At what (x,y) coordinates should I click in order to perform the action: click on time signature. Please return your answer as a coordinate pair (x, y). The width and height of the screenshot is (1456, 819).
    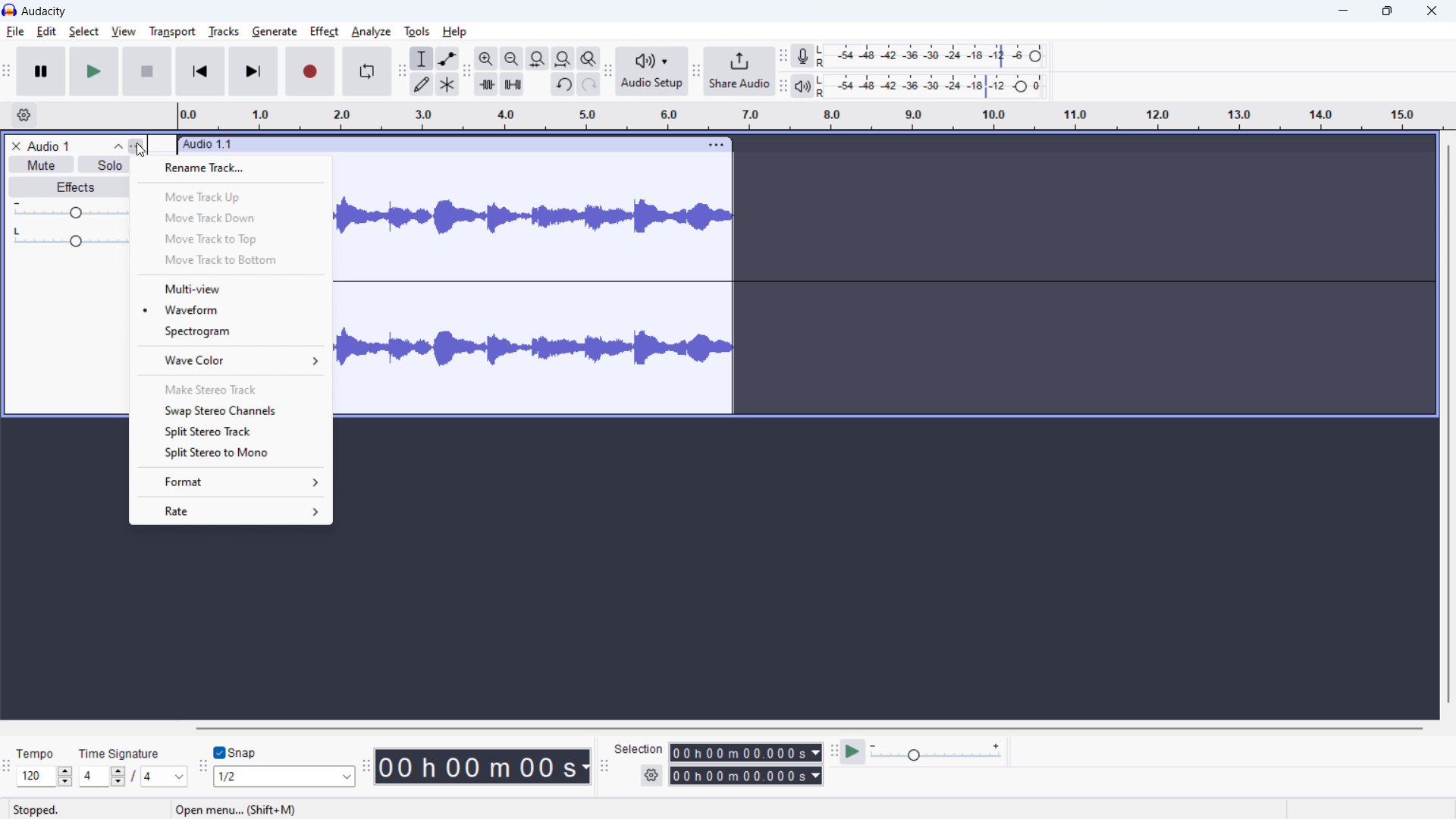
    Looking at the image, I should click on (121, 752).